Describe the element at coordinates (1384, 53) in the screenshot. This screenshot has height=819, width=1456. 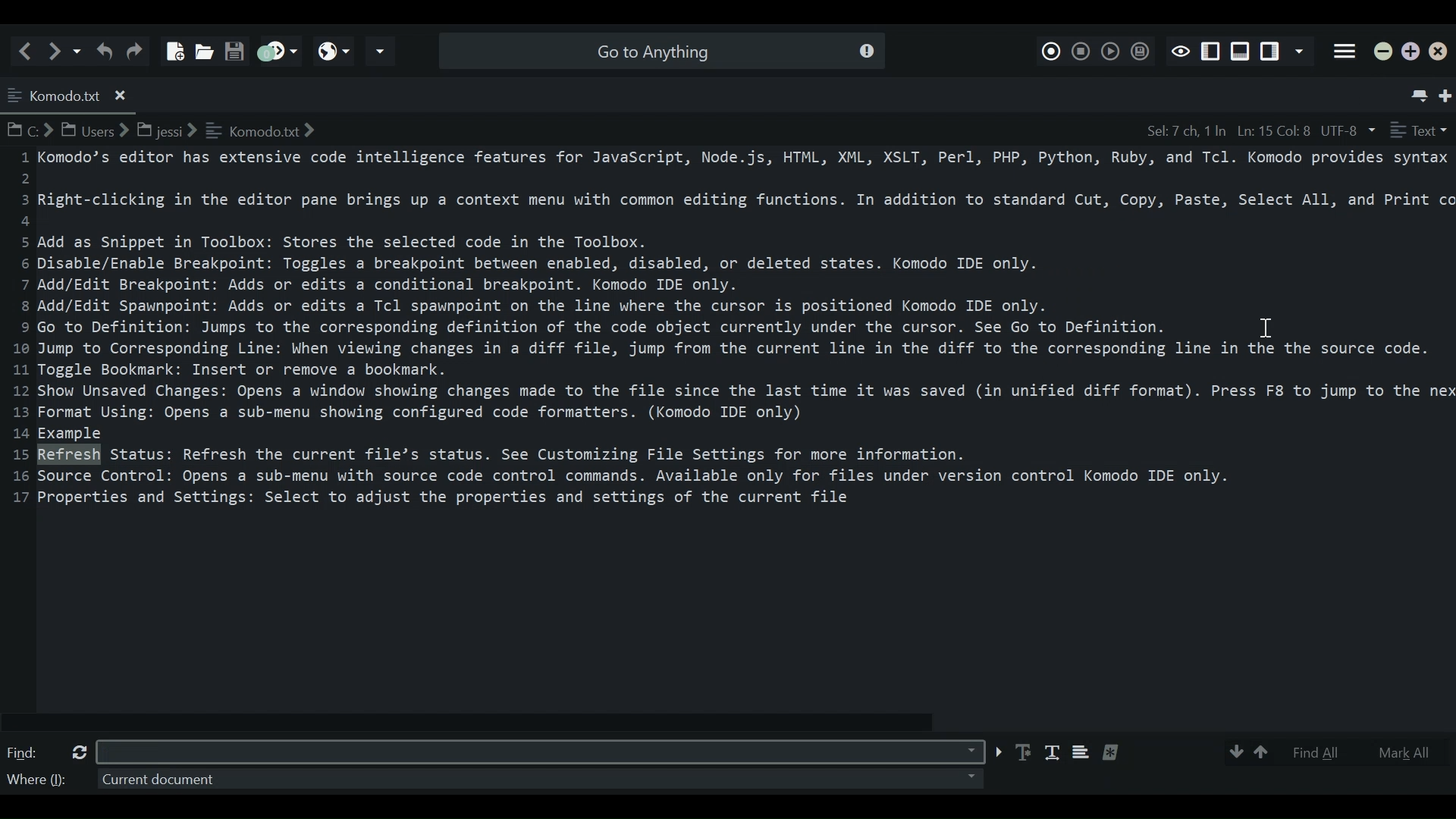
I see `minimize` at that location.